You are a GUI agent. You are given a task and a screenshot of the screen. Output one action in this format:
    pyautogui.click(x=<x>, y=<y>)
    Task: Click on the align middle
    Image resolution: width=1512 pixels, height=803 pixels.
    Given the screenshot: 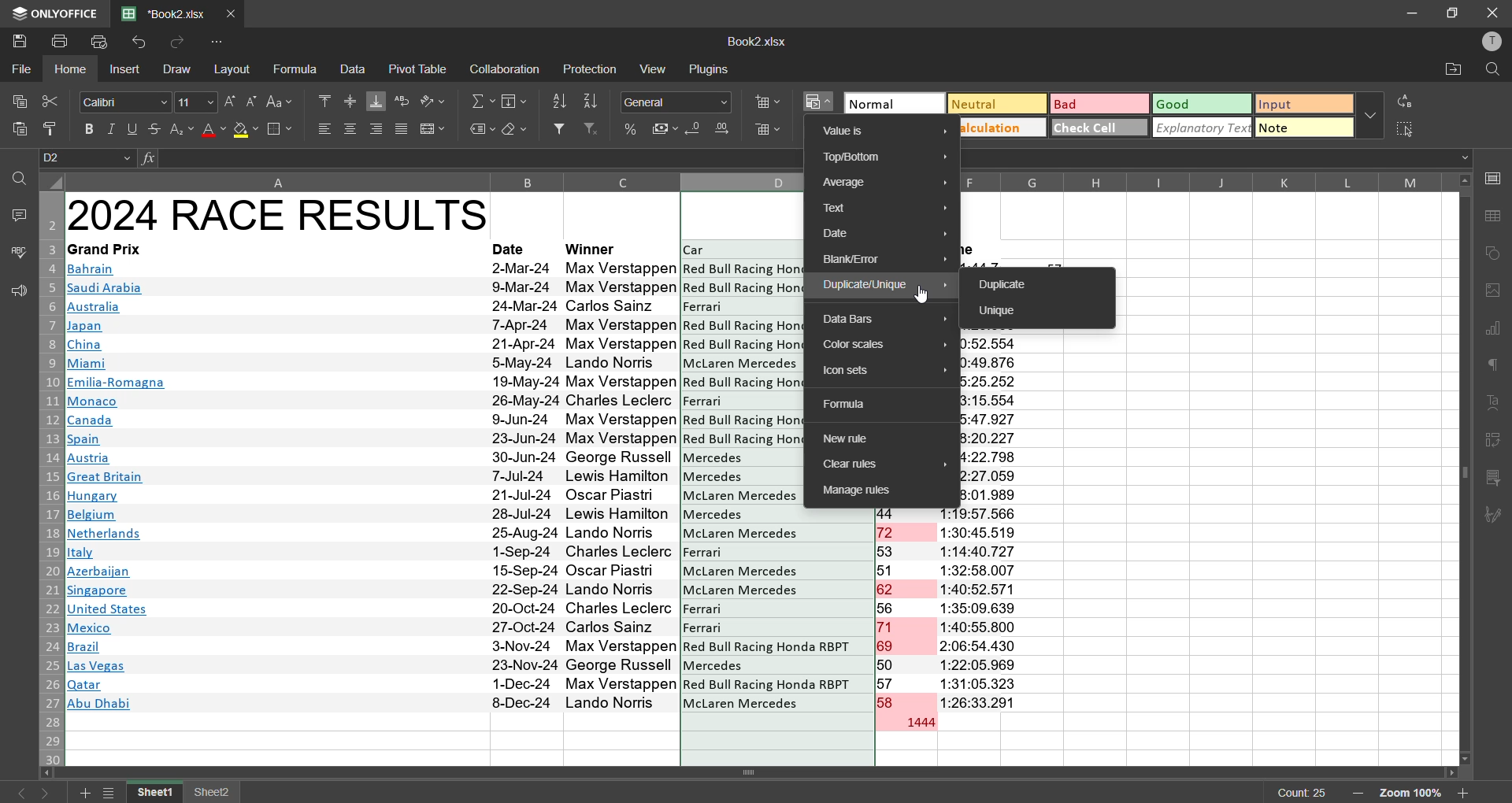 What is the action you would take?
    pyautogui.click(x=350, y=99)
    